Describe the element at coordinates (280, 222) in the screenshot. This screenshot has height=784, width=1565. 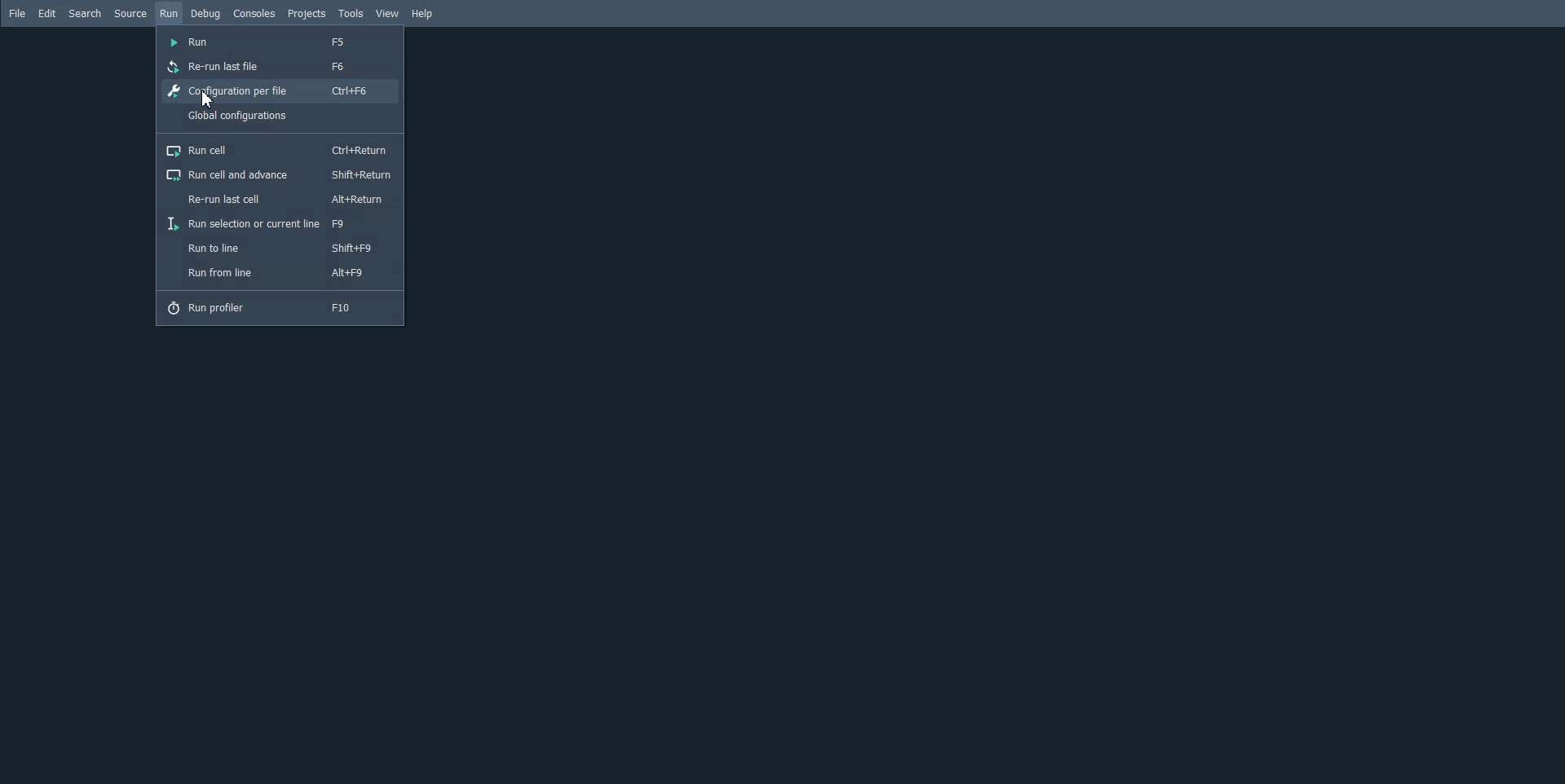
I see `Run selection or current line ` at that location.